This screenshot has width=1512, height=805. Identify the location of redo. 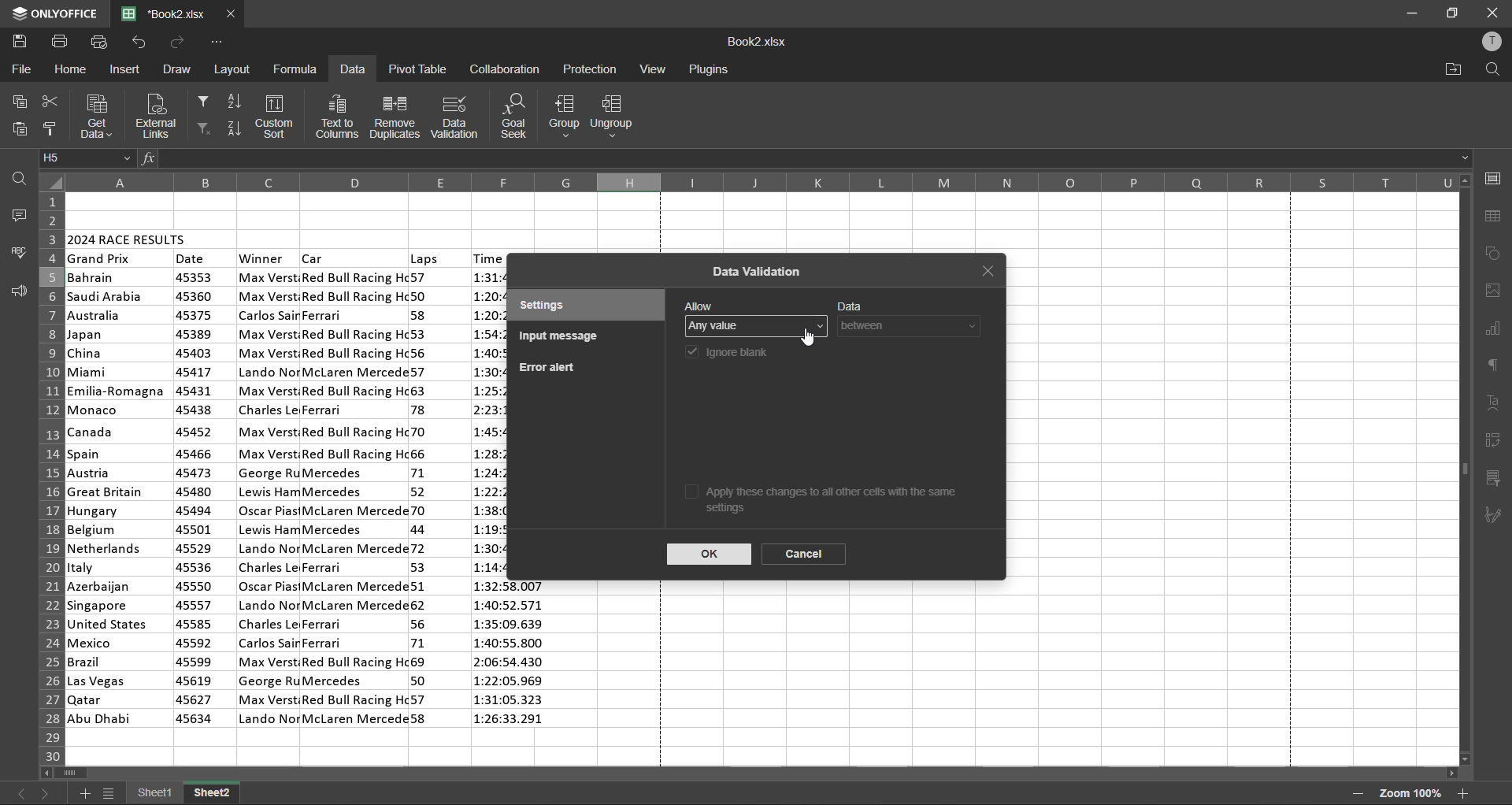
(179, 42).